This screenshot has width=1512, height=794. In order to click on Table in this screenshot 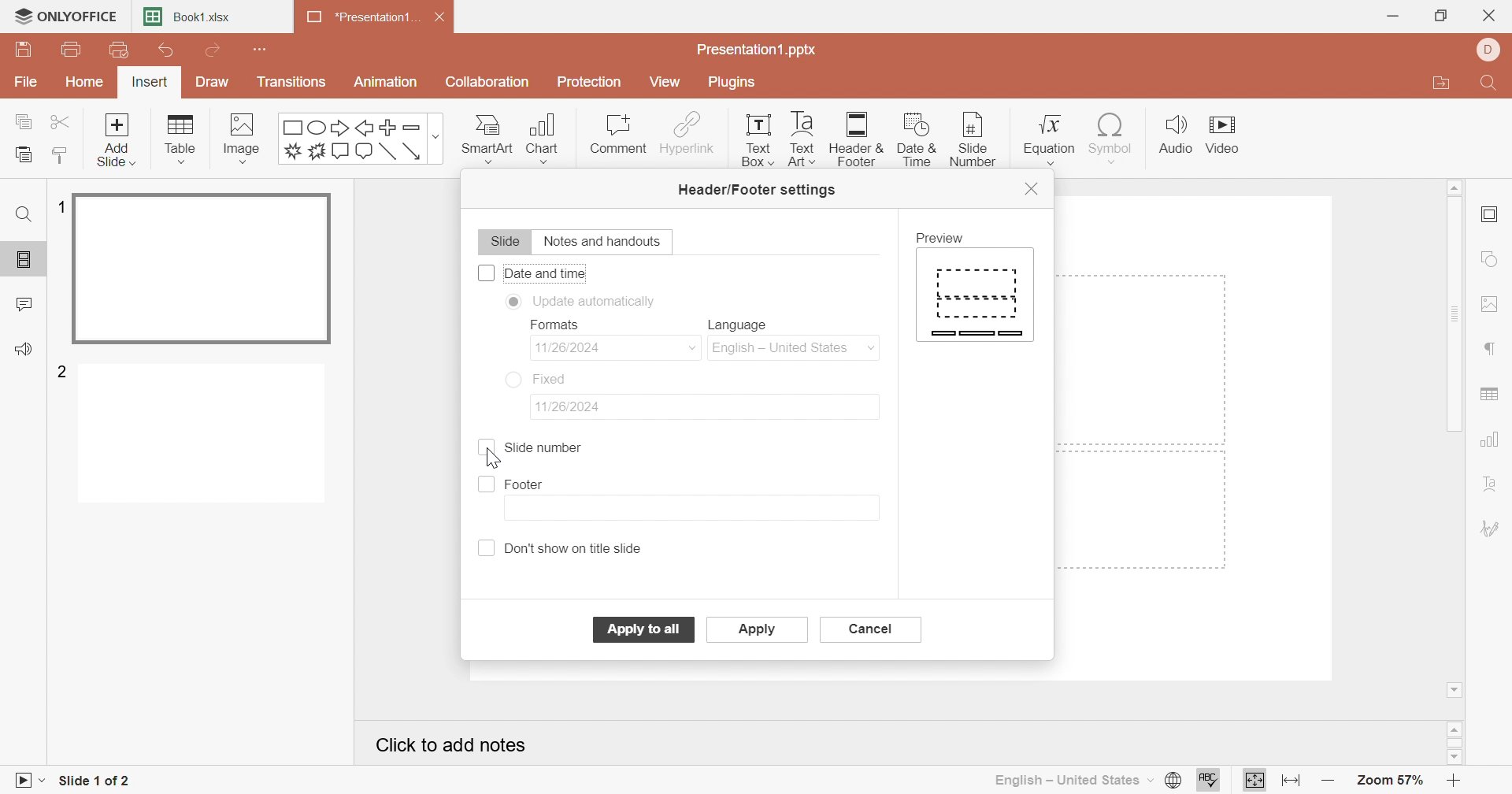, I will do `click(182, 139)`.